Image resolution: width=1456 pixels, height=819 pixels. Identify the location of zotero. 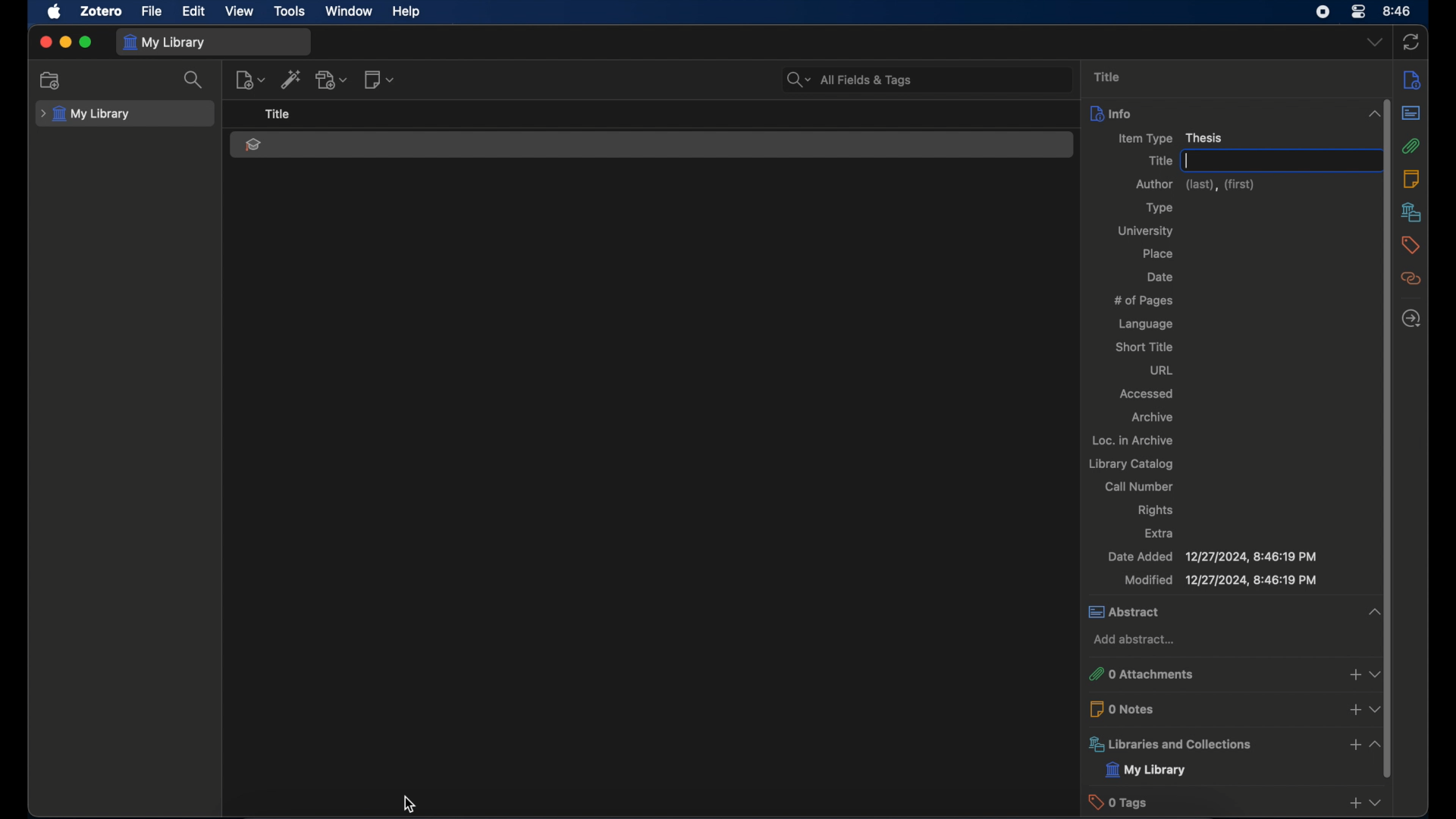
(102, 11).